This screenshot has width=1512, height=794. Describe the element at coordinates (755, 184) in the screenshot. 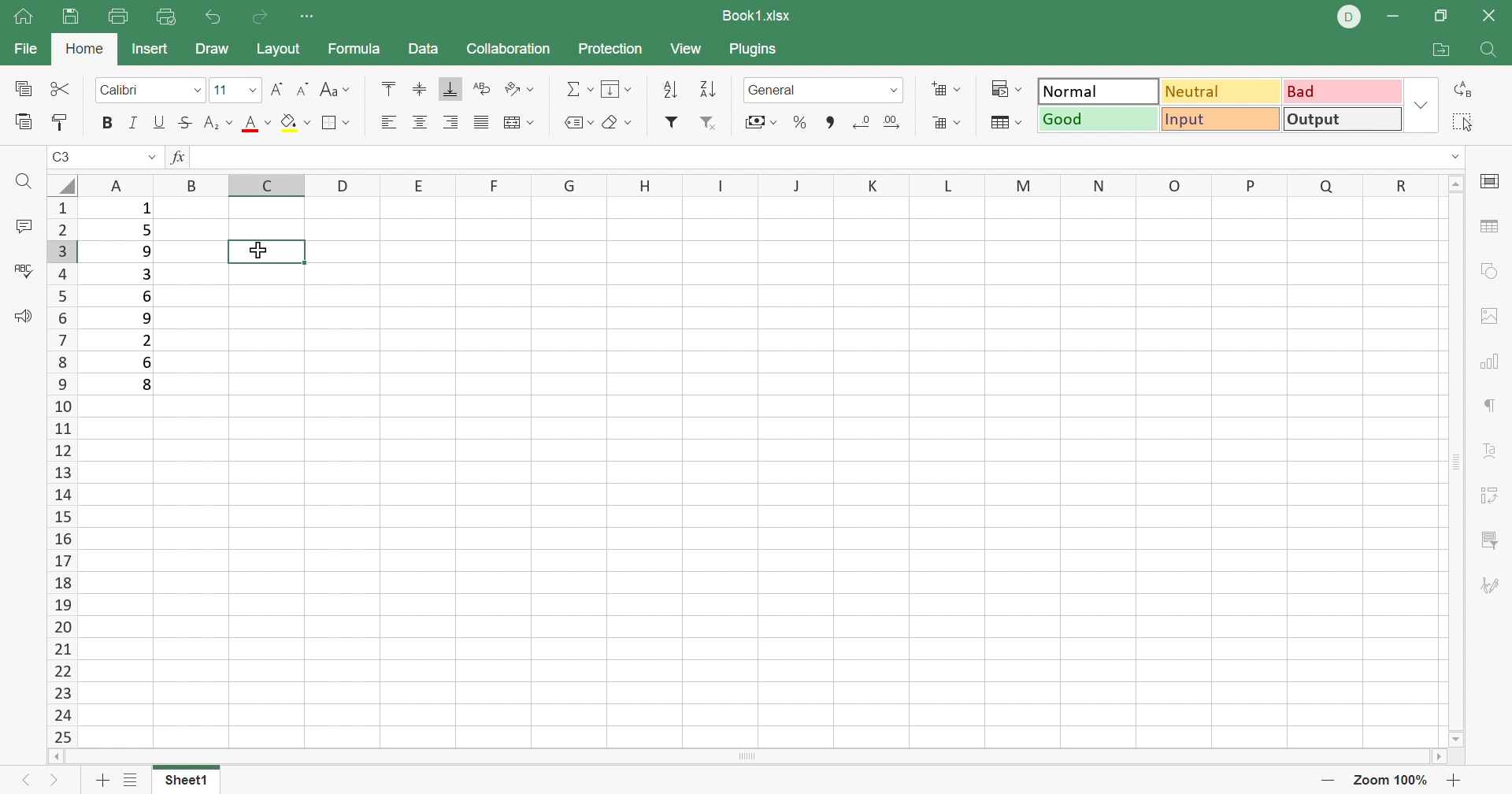

I see `Column names` at that location.